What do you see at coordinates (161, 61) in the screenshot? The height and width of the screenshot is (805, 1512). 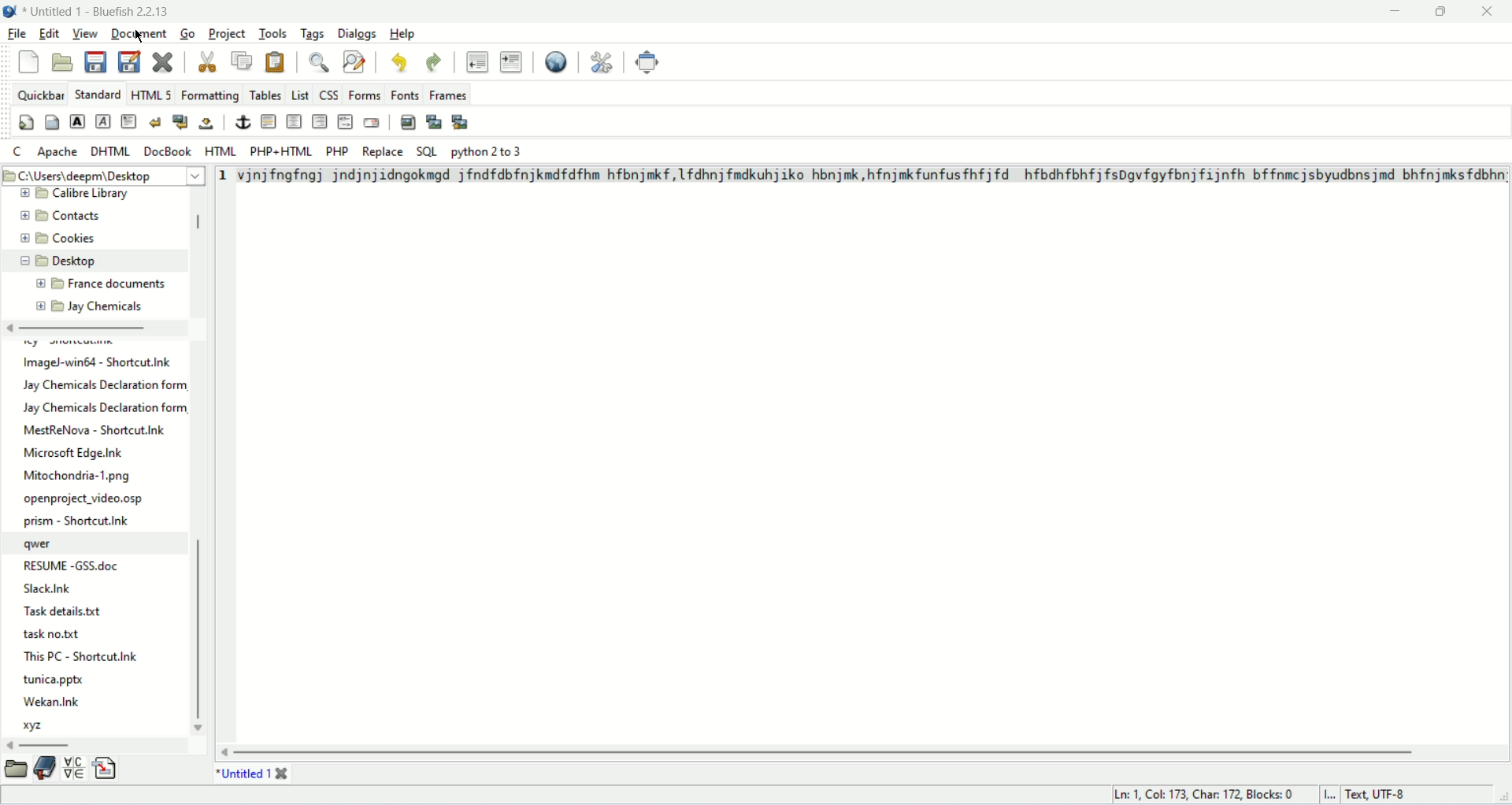 I see `close current file` at bounding box center [161, 61].